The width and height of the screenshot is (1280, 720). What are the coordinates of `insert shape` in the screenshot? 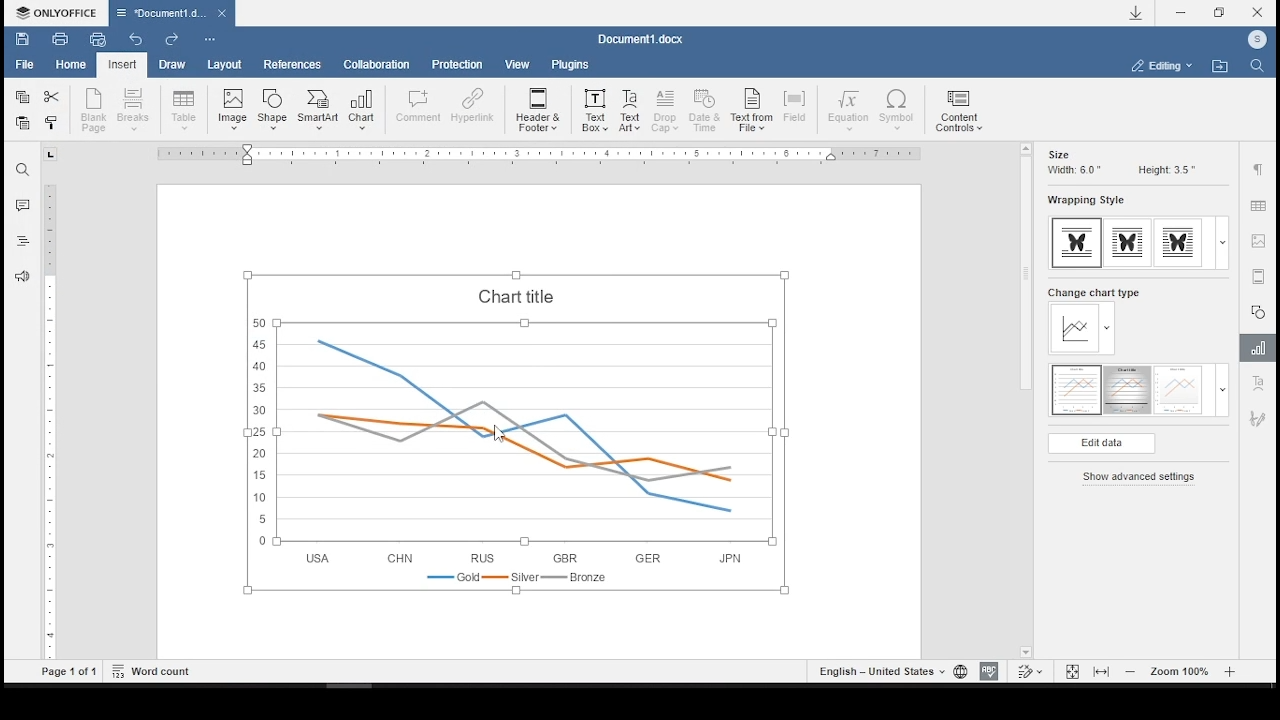 It's located at (273, 109).